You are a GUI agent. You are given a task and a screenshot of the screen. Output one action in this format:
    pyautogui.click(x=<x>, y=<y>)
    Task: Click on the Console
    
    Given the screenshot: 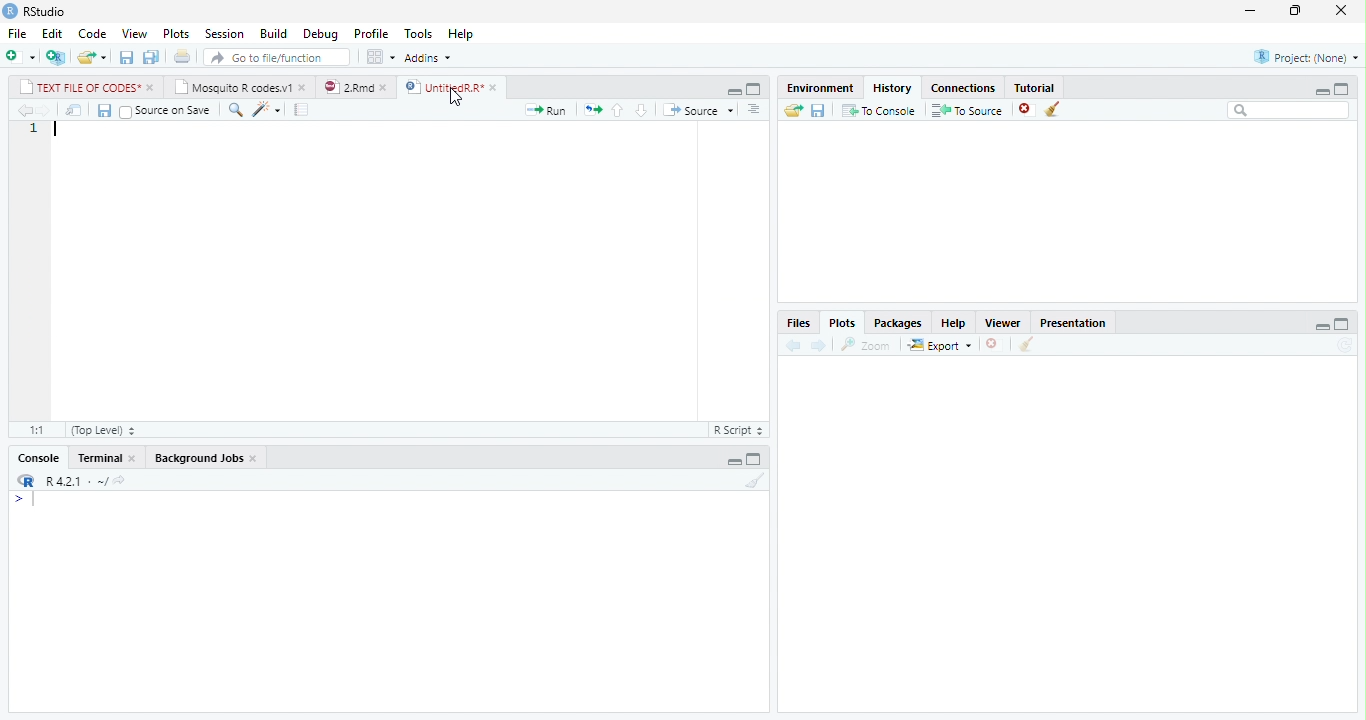 What is the action you would take?
    pyautogui.click(x=39, y=458)
    